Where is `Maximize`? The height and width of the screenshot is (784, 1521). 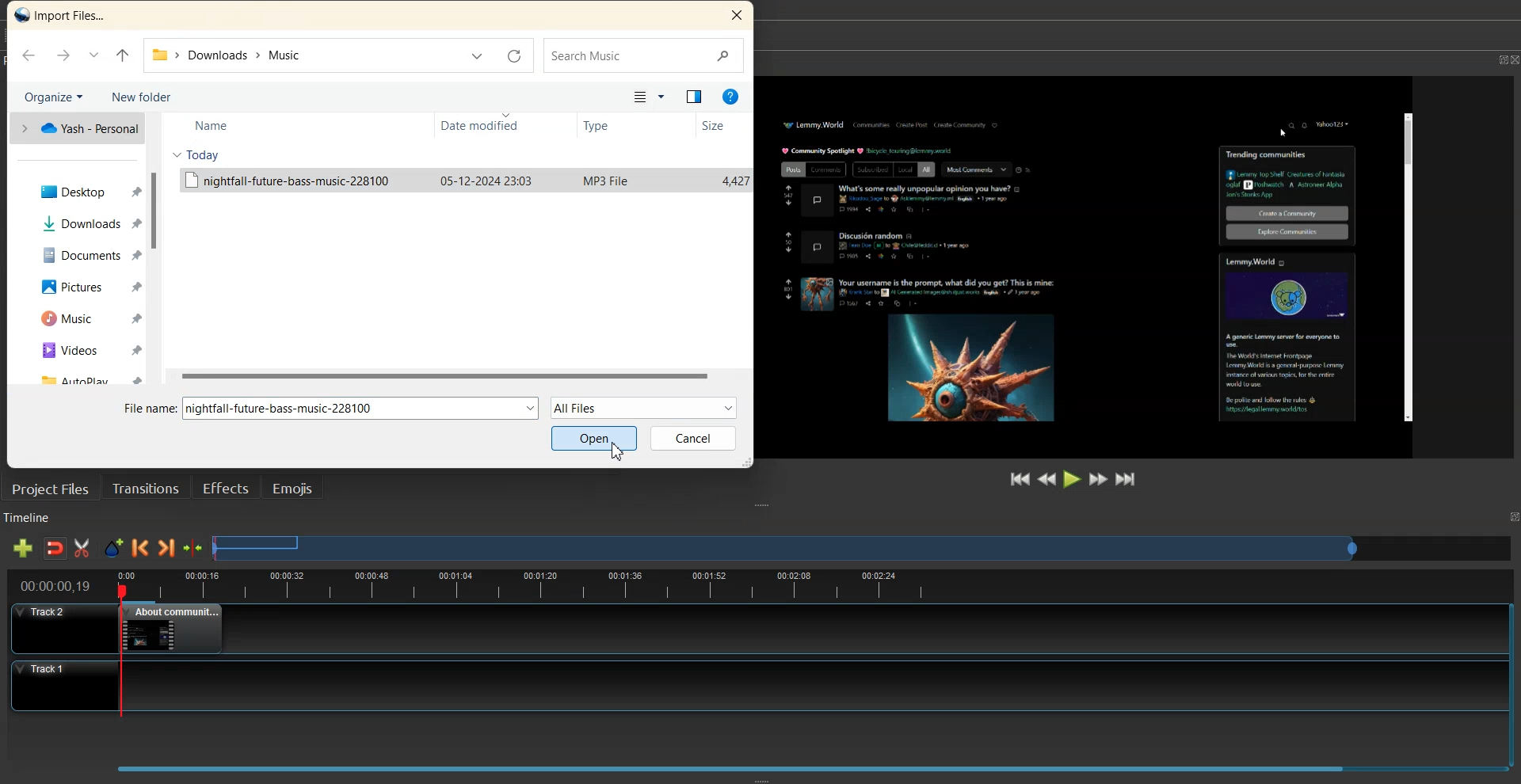
Maximize is located at coordinates (1492, 57).